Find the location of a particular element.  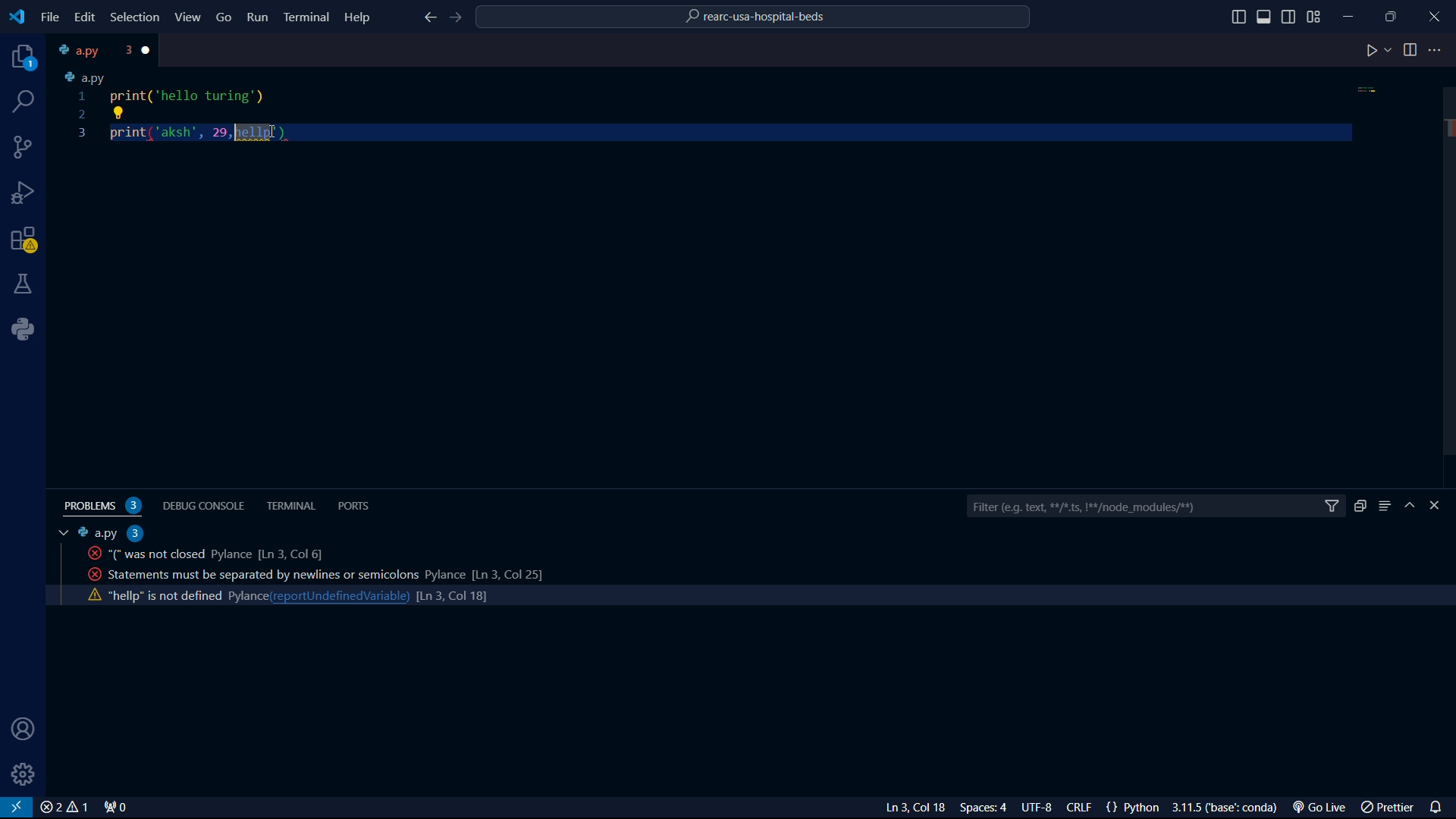

file is located at coordinates (50, 17).